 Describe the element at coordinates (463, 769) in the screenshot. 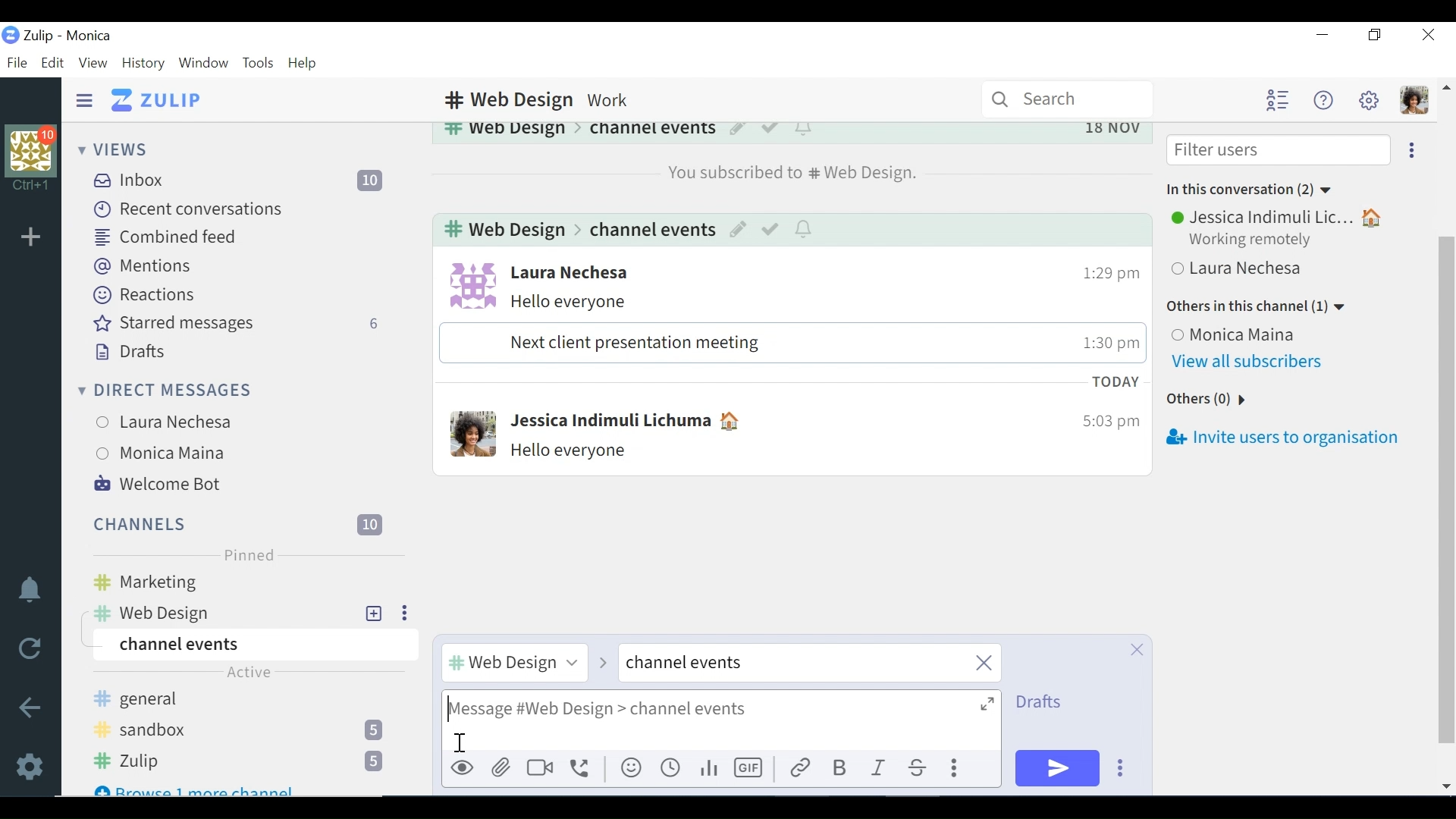

I see `Preview` at that location.